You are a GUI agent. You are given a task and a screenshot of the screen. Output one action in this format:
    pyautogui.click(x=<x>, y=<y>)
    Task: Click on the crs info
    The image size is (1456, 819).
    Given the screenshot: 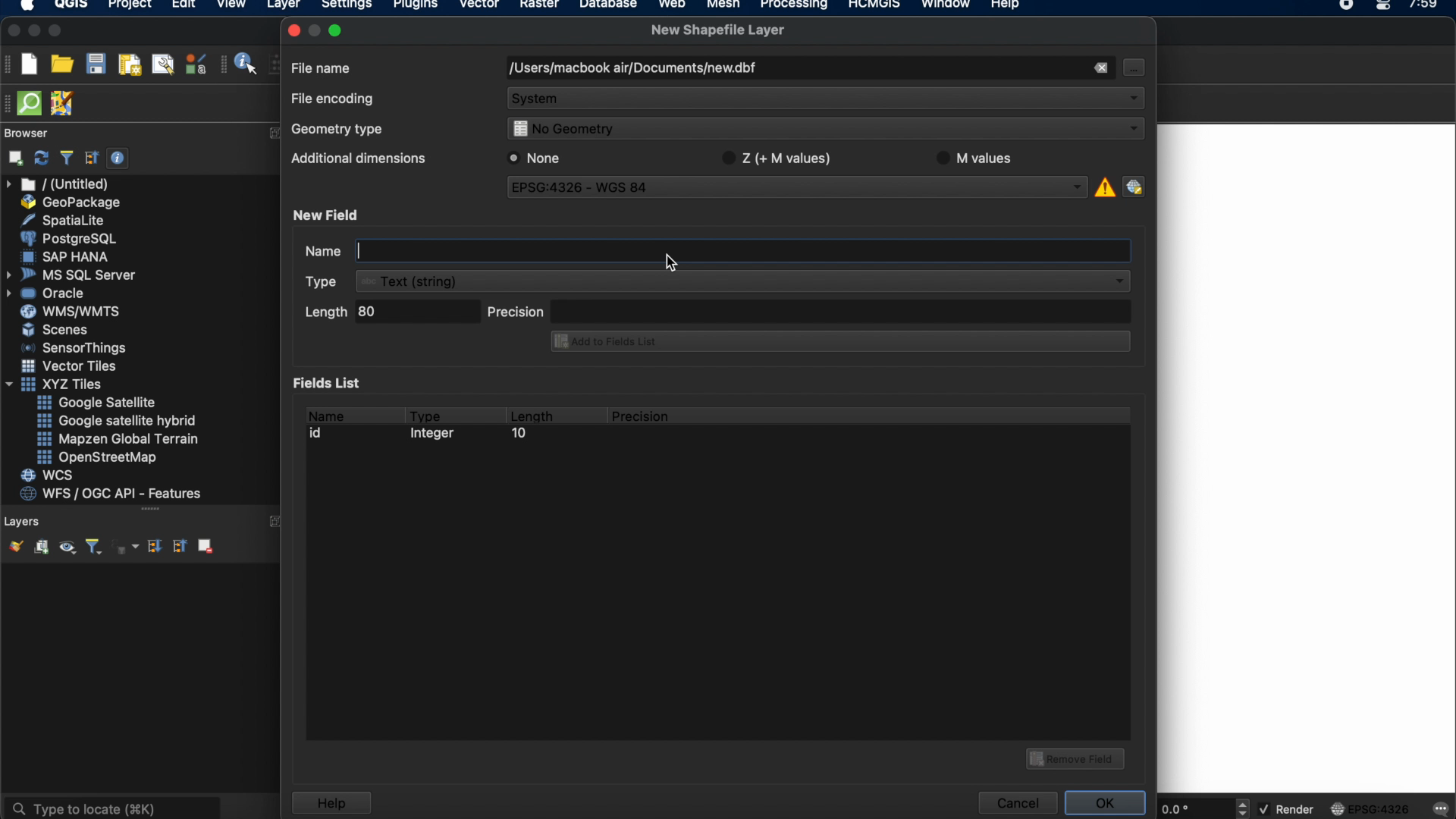 What is the action you would take?
    pyautogui.click(x=1103, y=185)
    